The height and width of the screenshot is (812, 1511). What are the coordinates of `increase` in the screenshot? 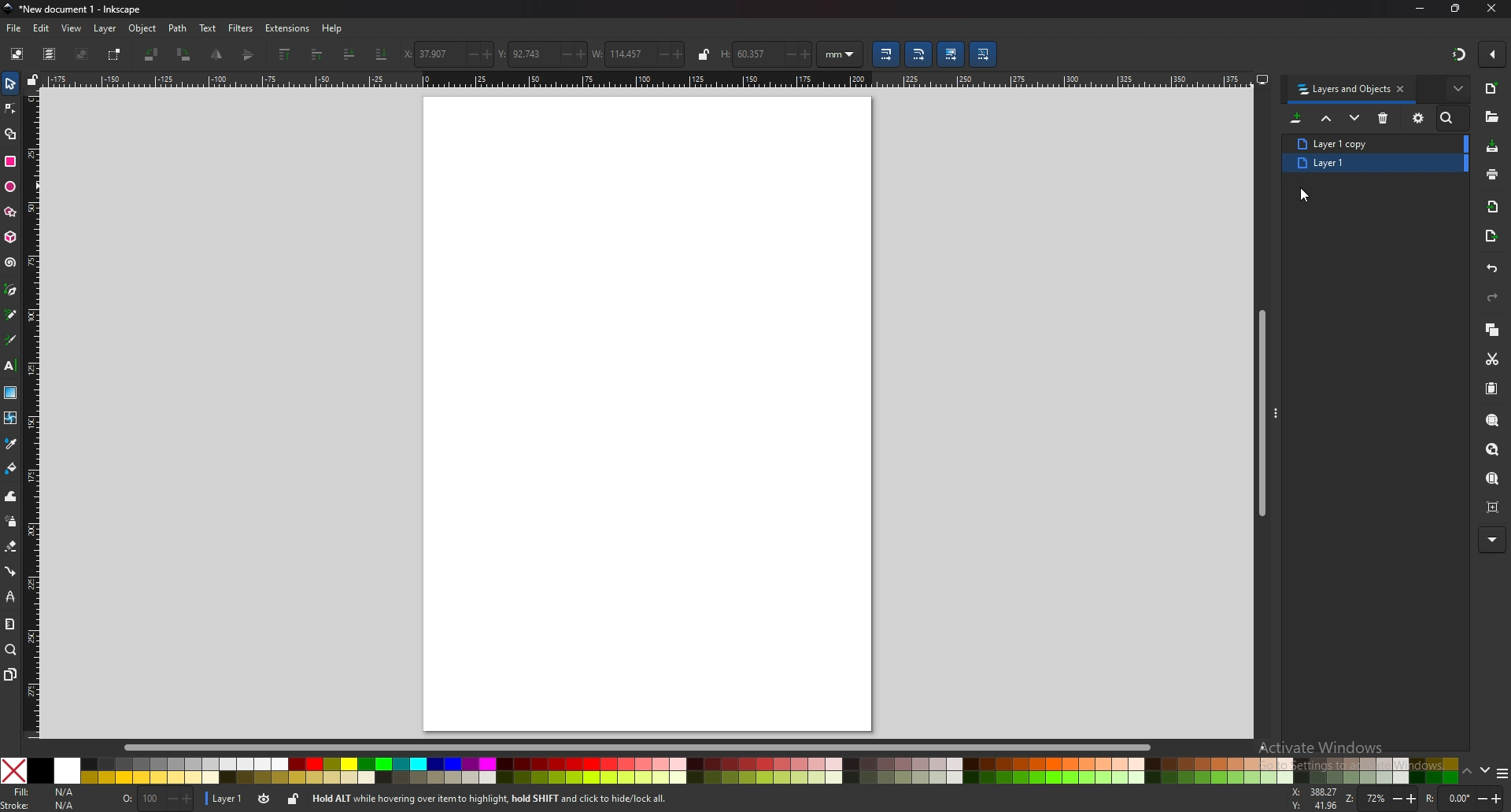 It's located at (805, 55).